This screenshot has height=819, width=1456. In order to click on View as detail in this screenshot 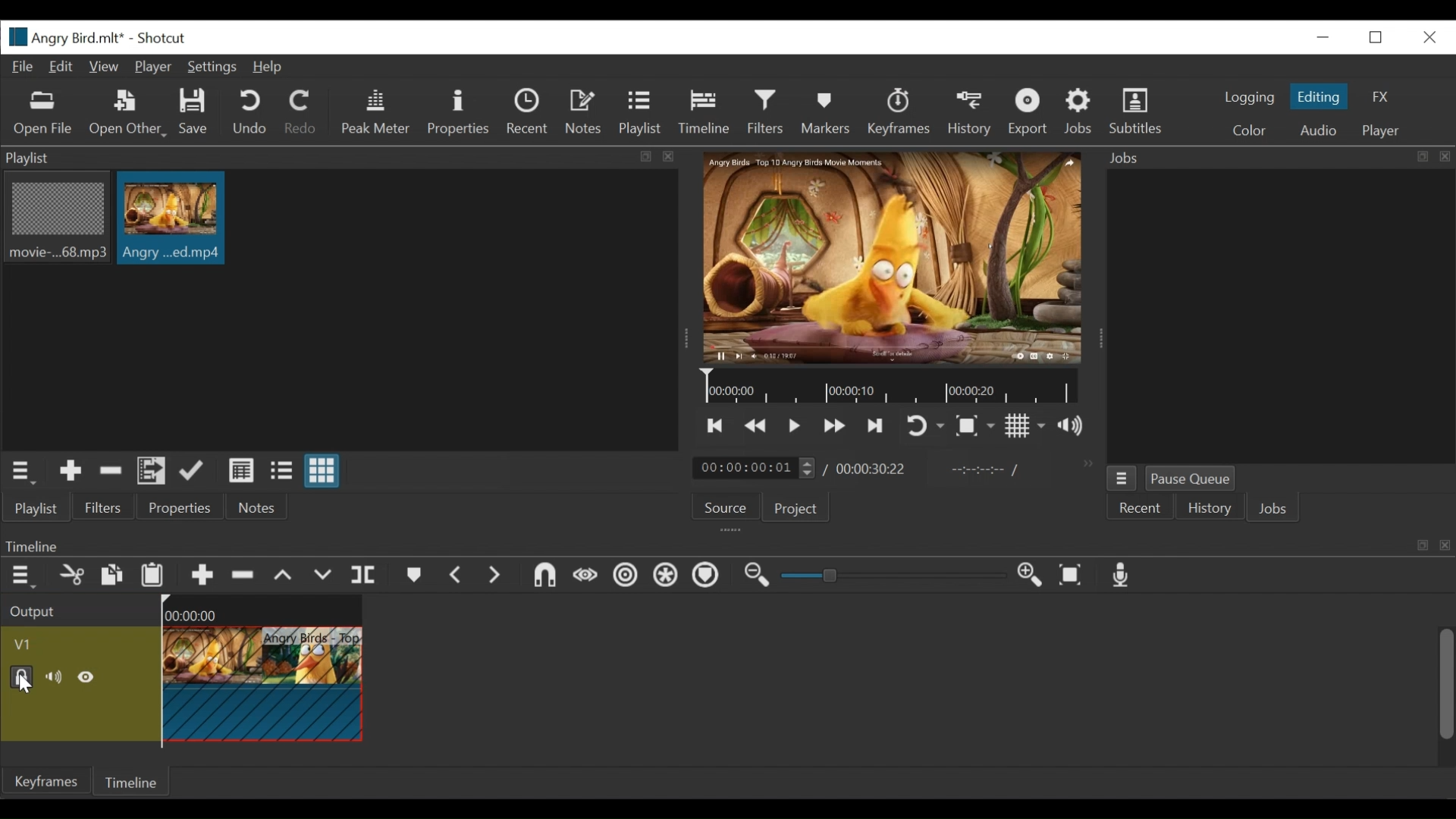, I will do `click(240, 471)`.